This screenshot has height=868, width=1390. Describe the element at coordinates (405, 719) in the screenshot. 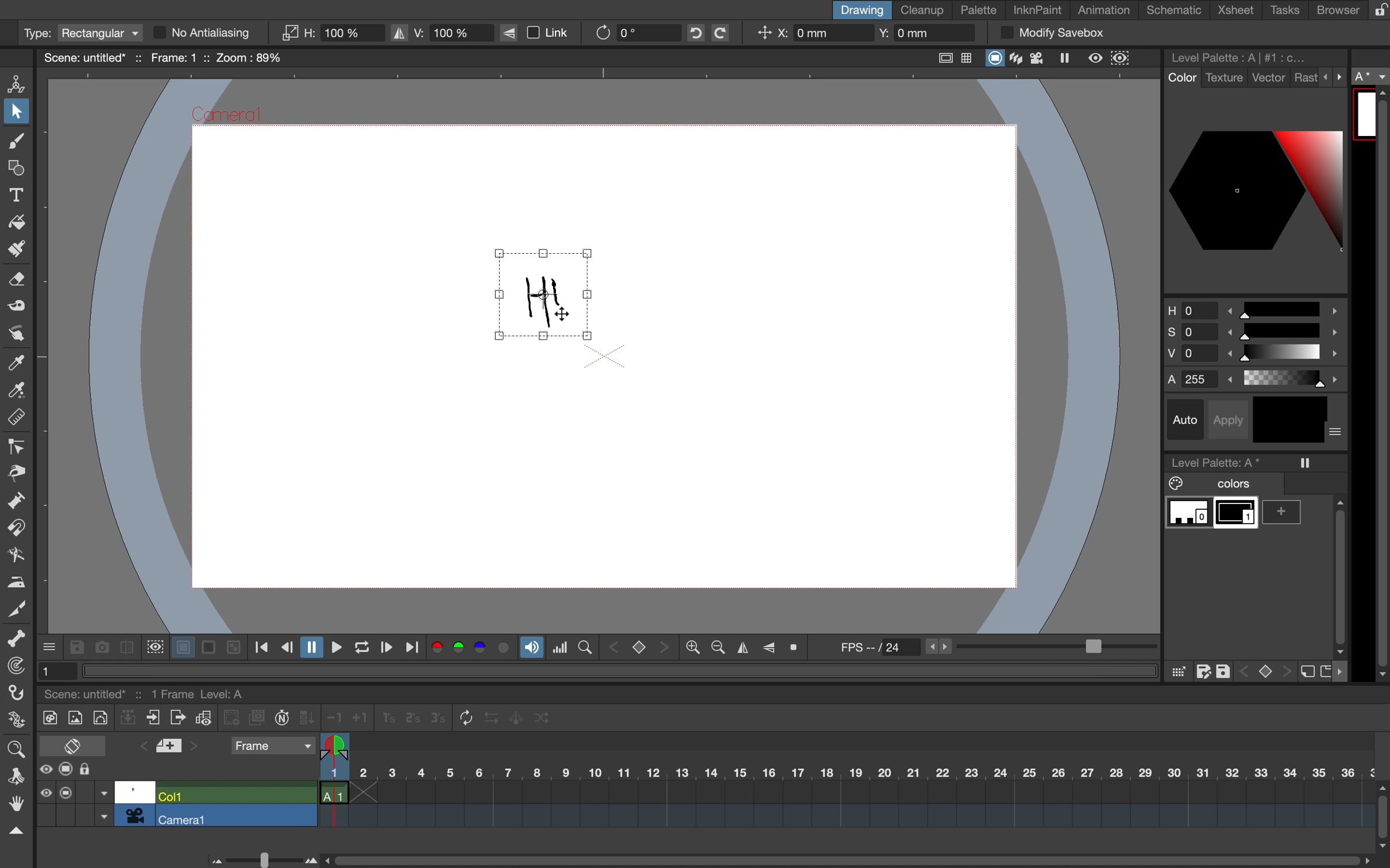

I see `reframe 1s, 2s and 3s` at that location.